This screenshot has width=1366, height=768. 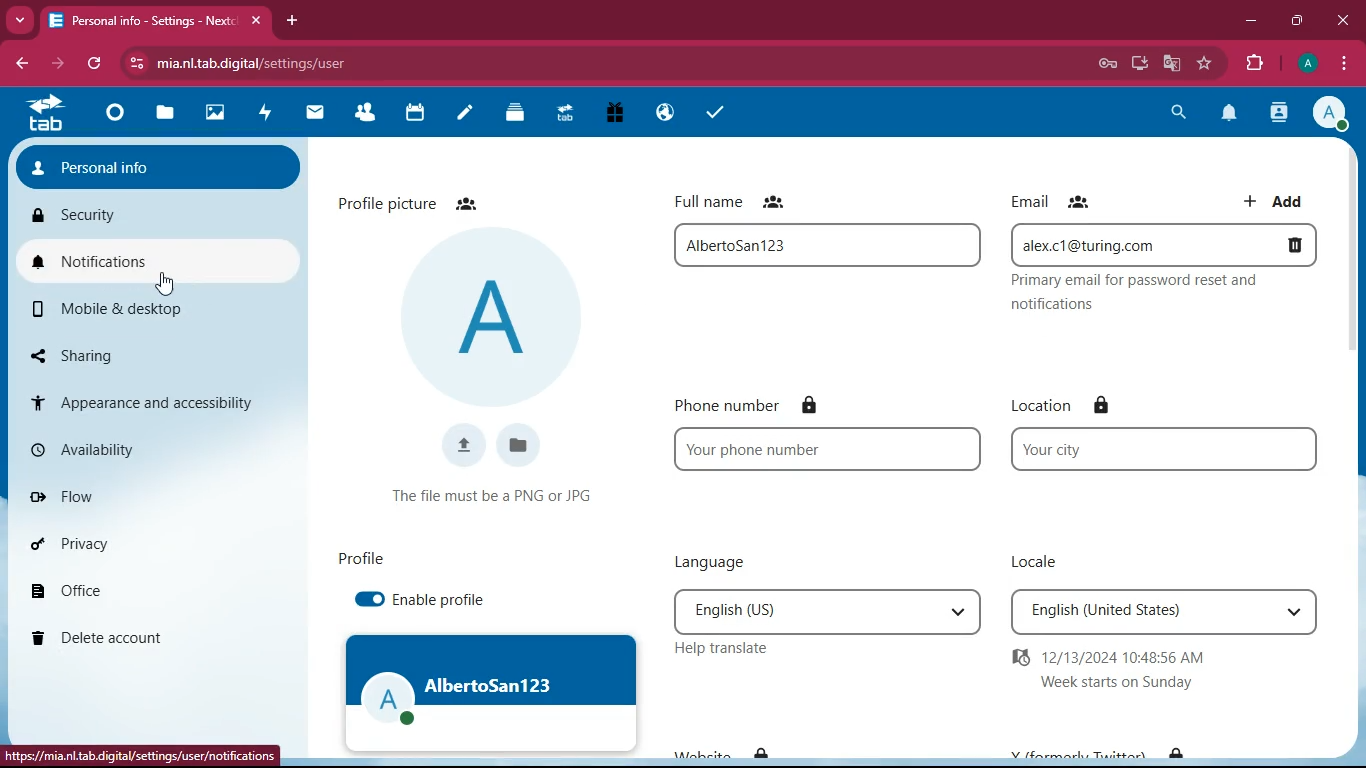 What do you see at coordinates (826, 244) in the screenshot?
I see `full name` at bounding box center [826, 244].